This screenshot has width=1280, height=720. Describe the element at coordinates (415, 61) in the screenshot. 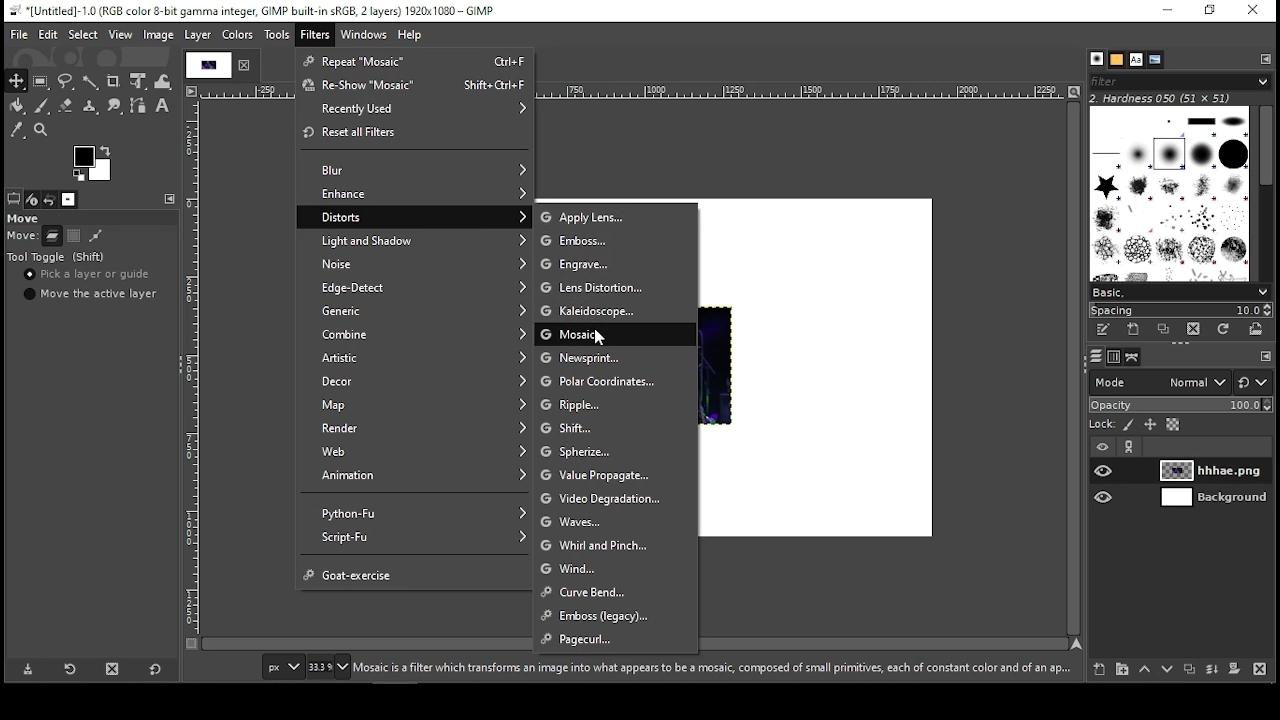

I see `repeat` at that location.